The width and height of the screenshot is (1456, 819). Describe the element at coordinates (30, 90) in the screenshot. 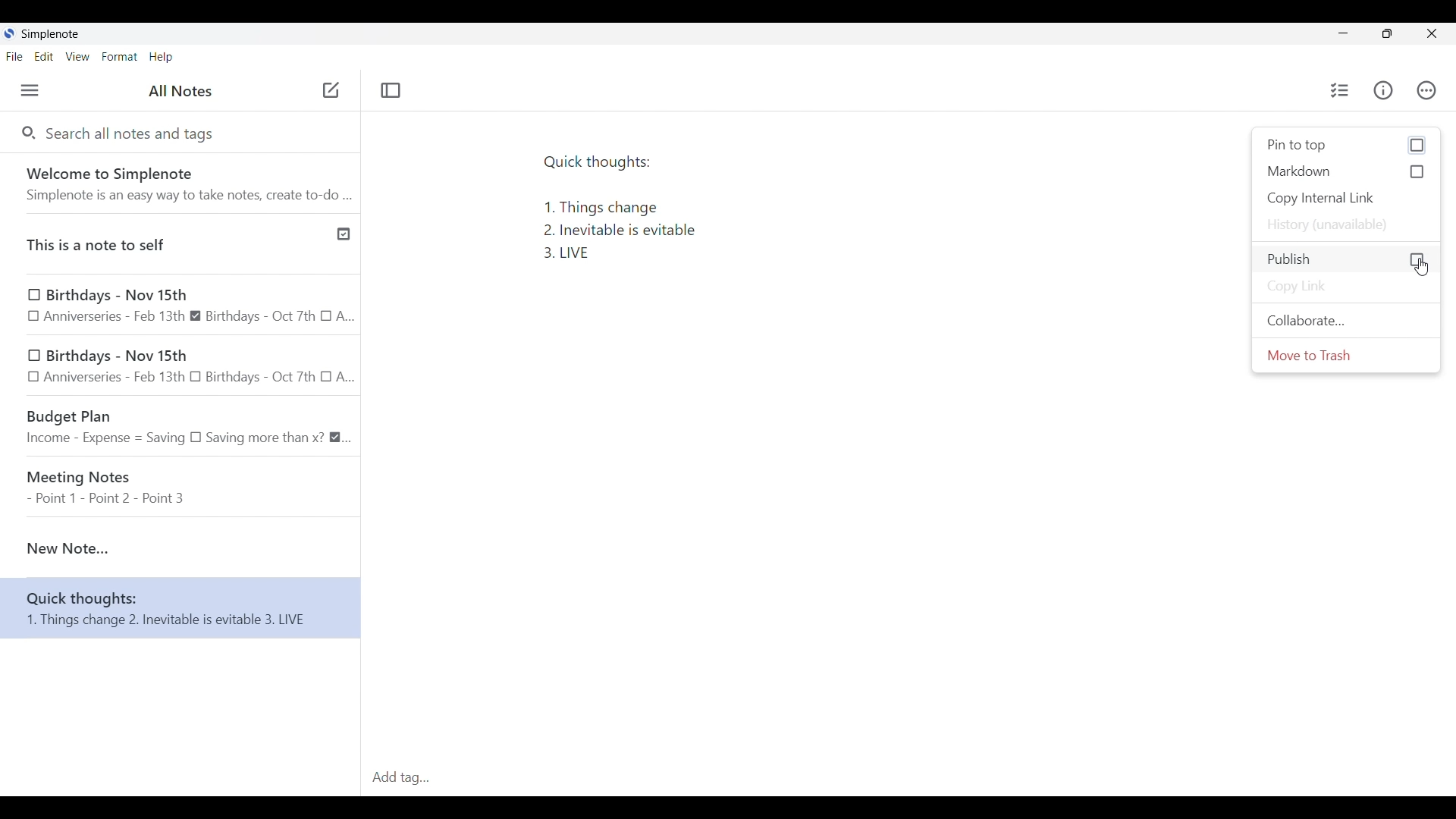

I see `Menu` at that location.